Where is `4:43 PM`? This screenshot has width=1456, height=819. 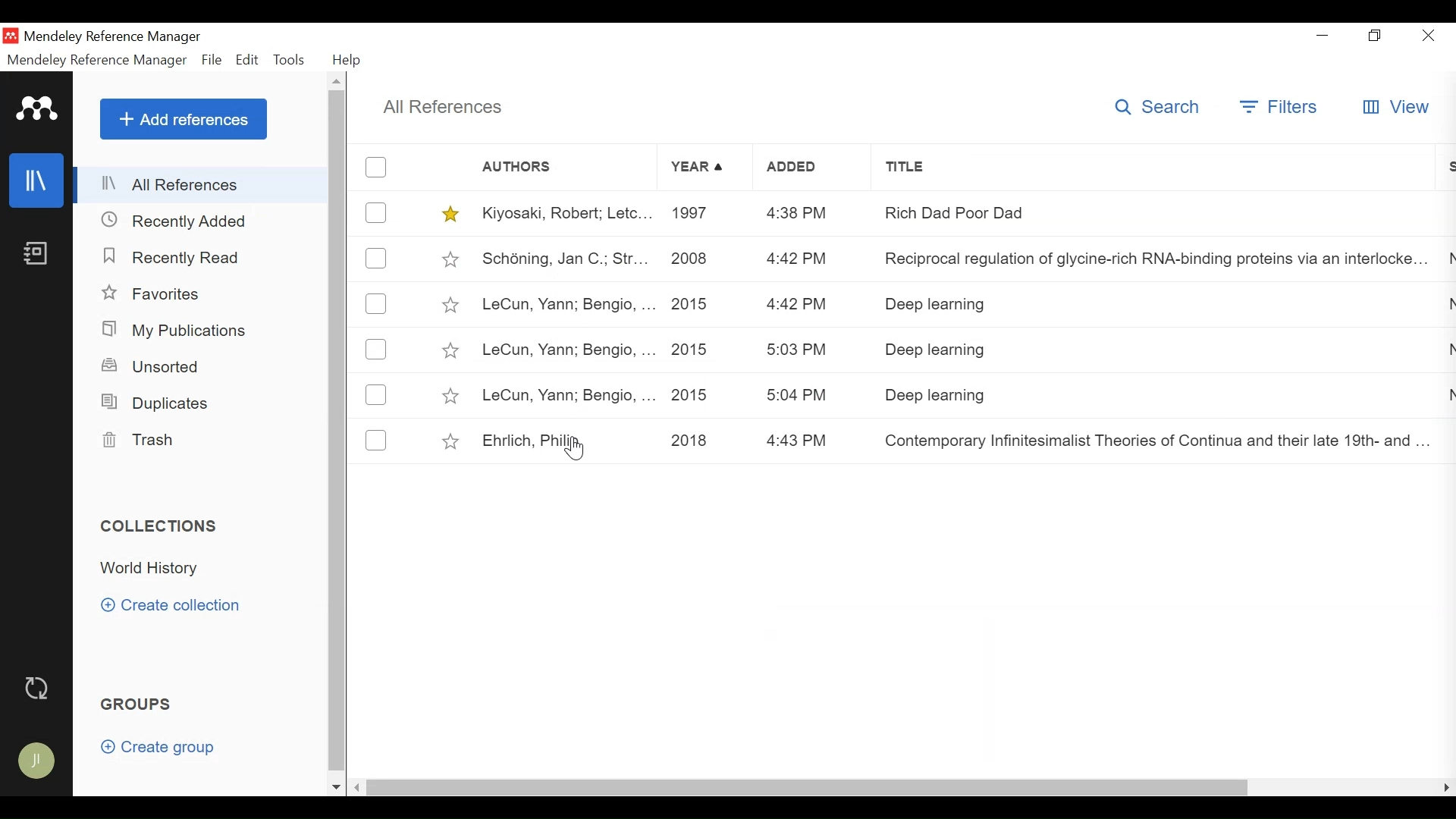 4:43 PM is located at coordinates (802, 439).